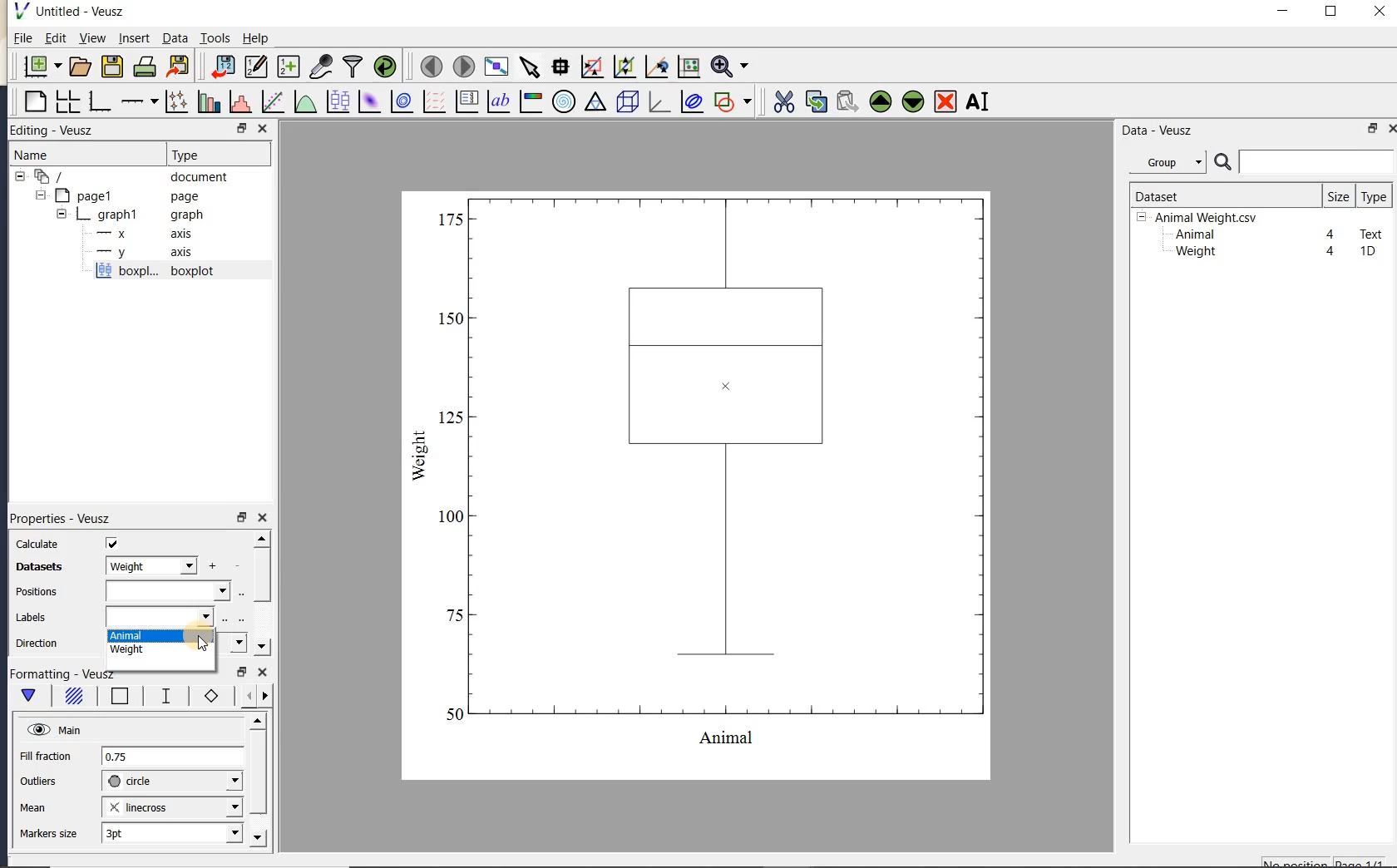  Describe the element at coordinates (178, 101) in the screenshot. I see `plot points with lines and errorbars` at that location.